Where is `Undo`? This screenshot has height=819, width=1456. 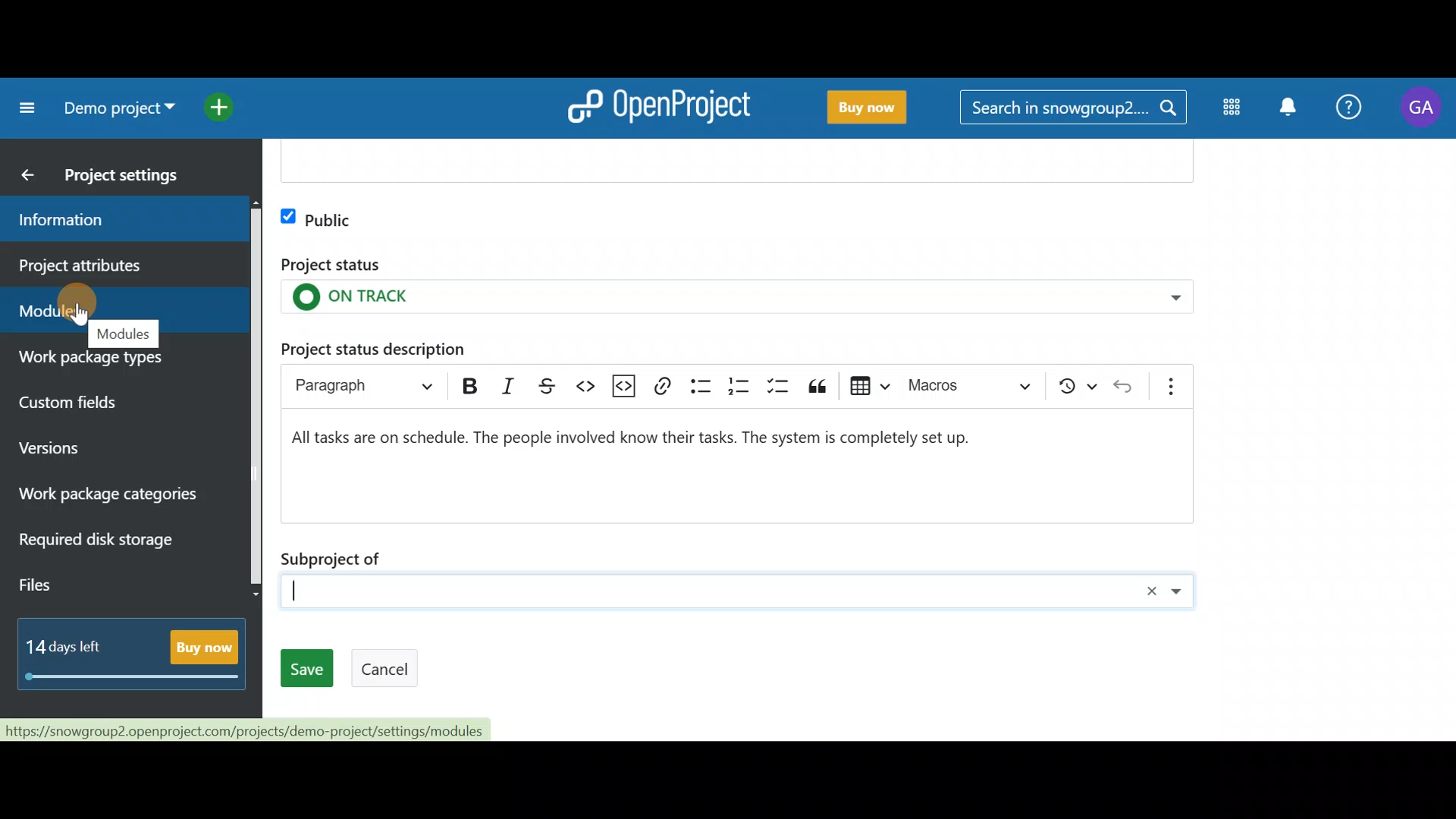
Undo is located at coordinates (1129, 384).